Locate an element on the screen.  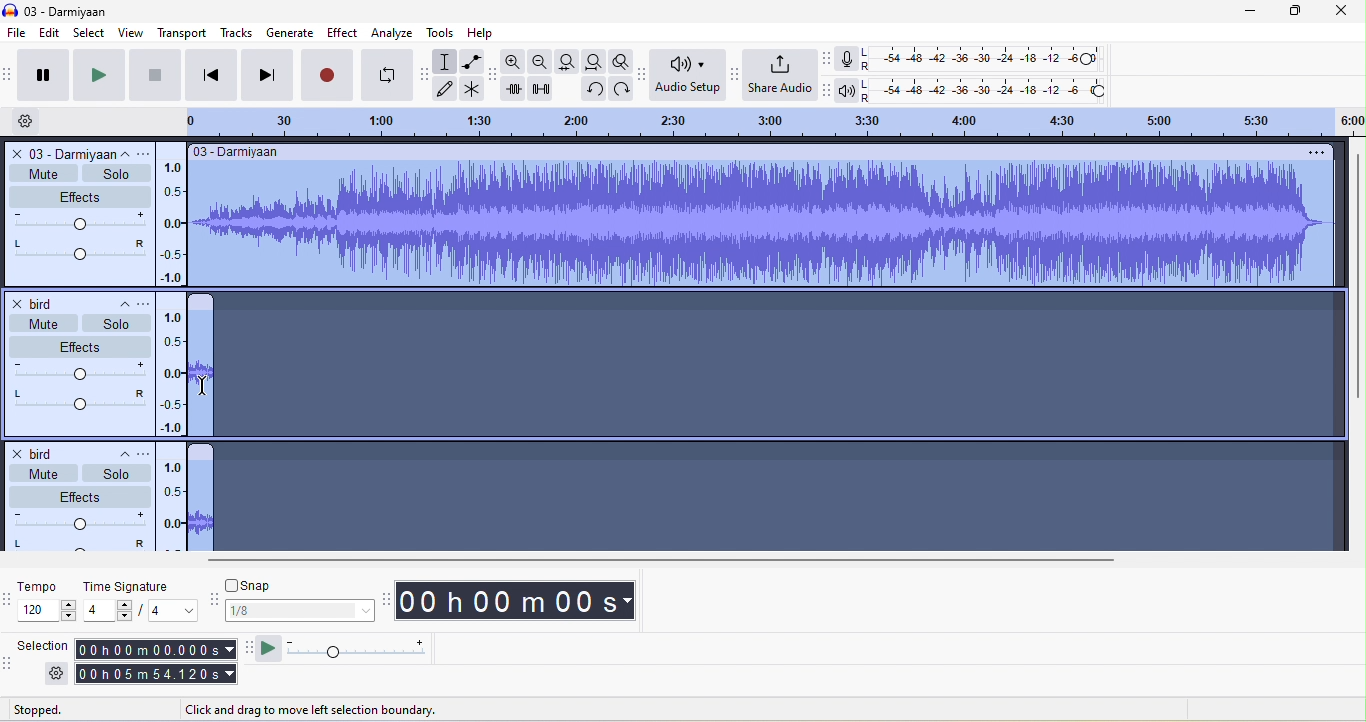
click and drag to define a looping region is located at coordinates (759, 121).